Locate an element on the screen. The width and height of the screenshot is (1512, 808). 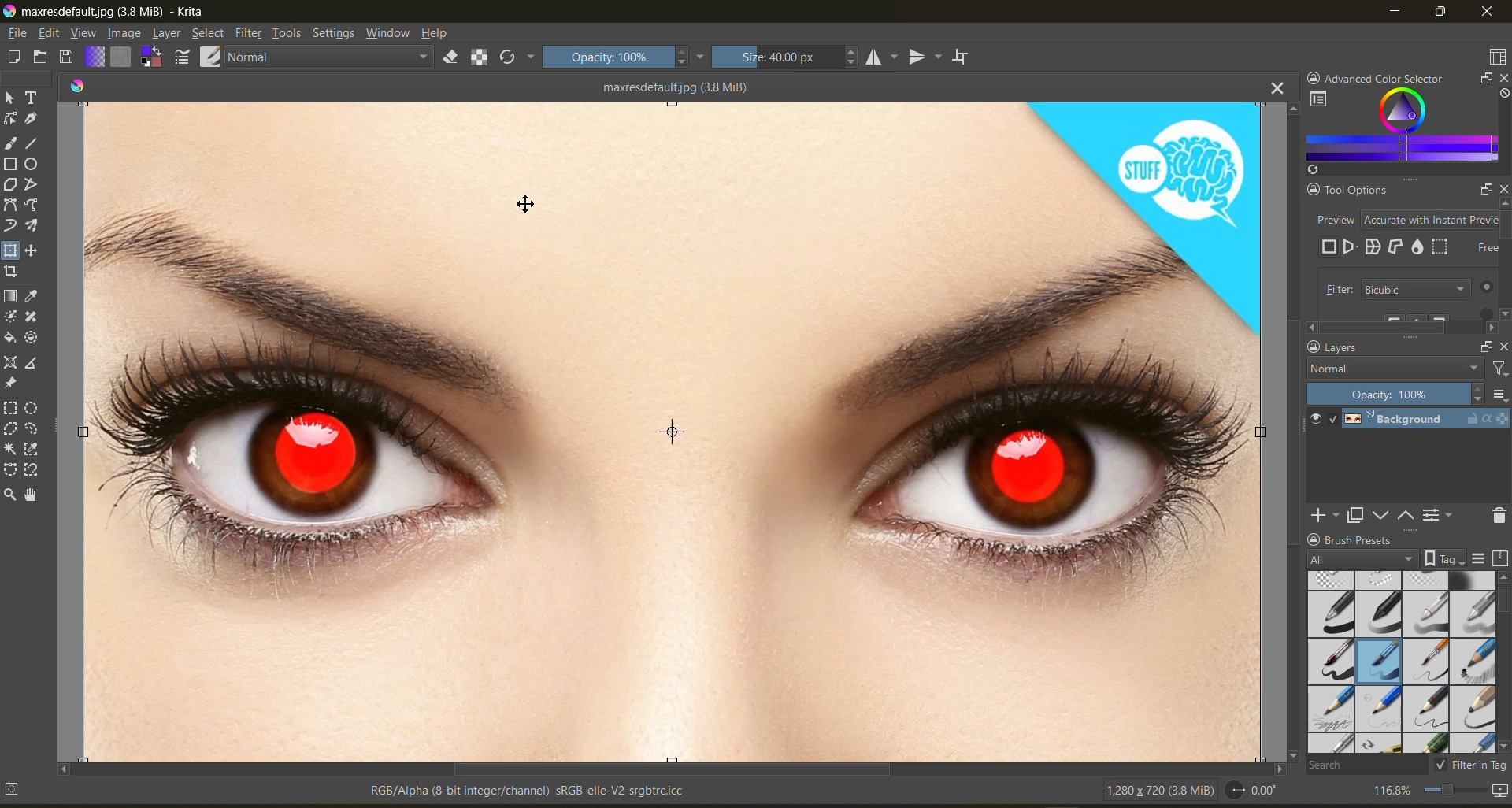
lock docker is located at coordinates (1314, 539).